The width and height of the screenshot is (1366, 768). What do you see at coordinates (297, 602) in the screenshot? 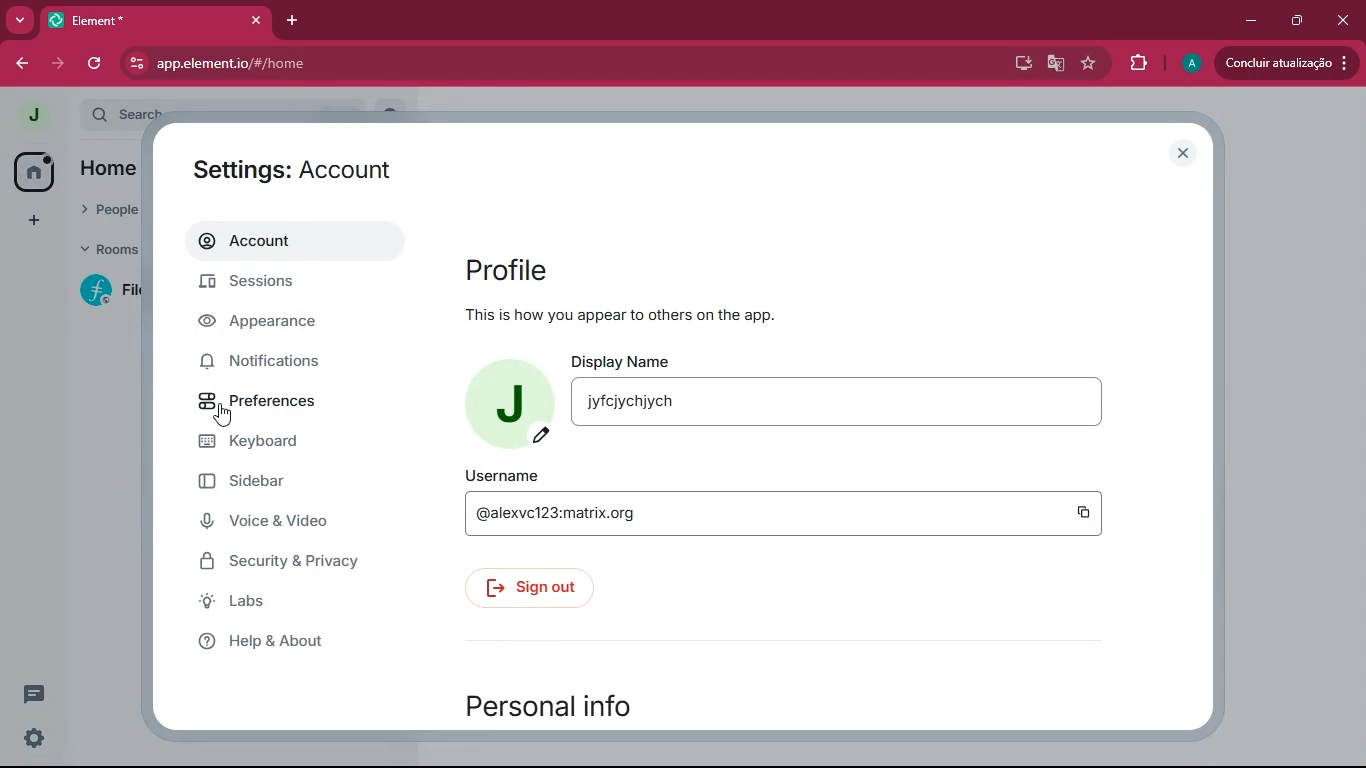
I see `labs` at bounding box center [297, 602].